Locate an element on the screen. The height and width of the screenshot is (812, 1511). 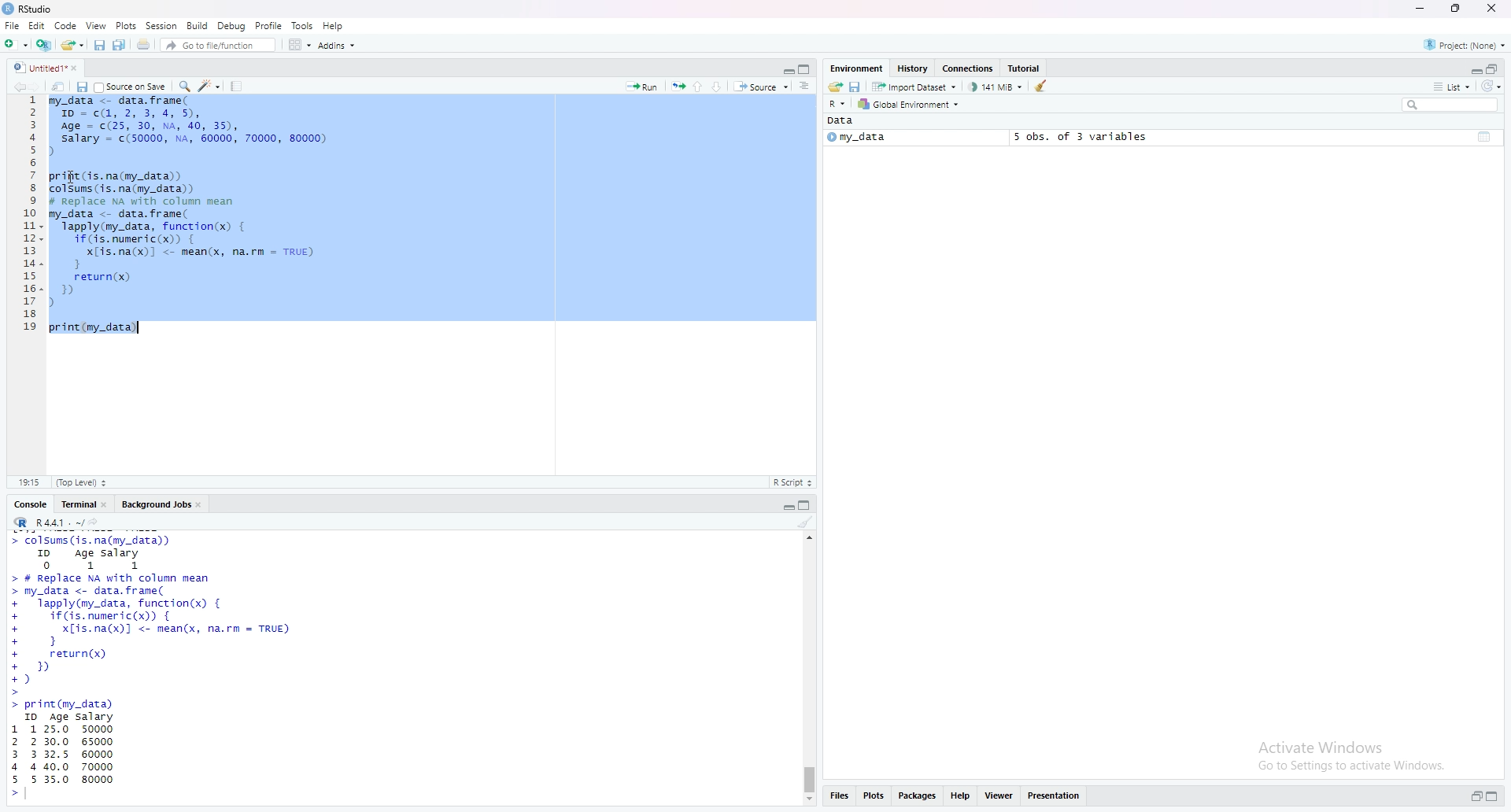
show in new window is located at coordinates (58, 87).